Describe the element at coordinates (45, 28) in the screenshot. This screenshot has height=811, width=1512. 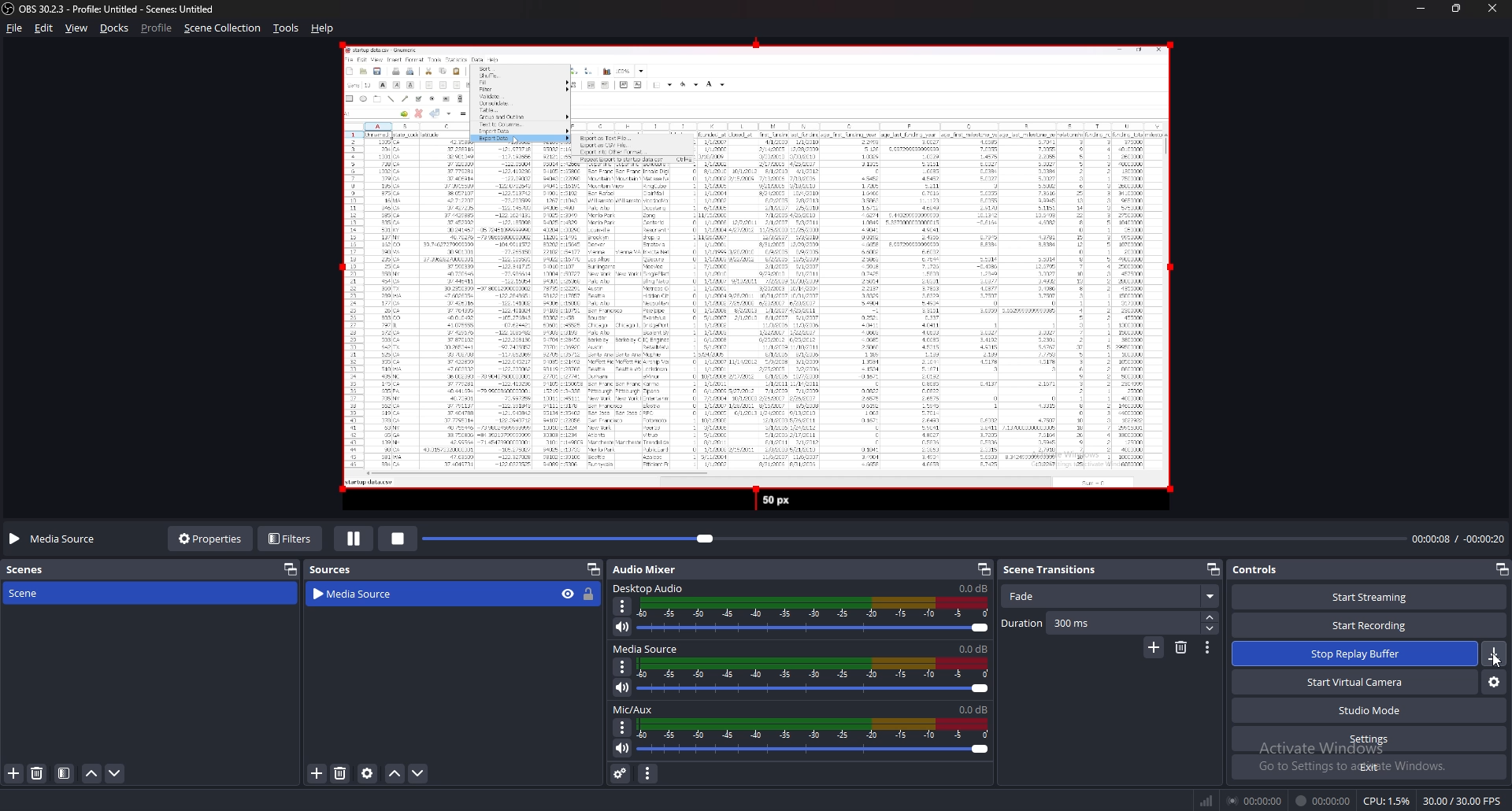
I see `edit` at that location.